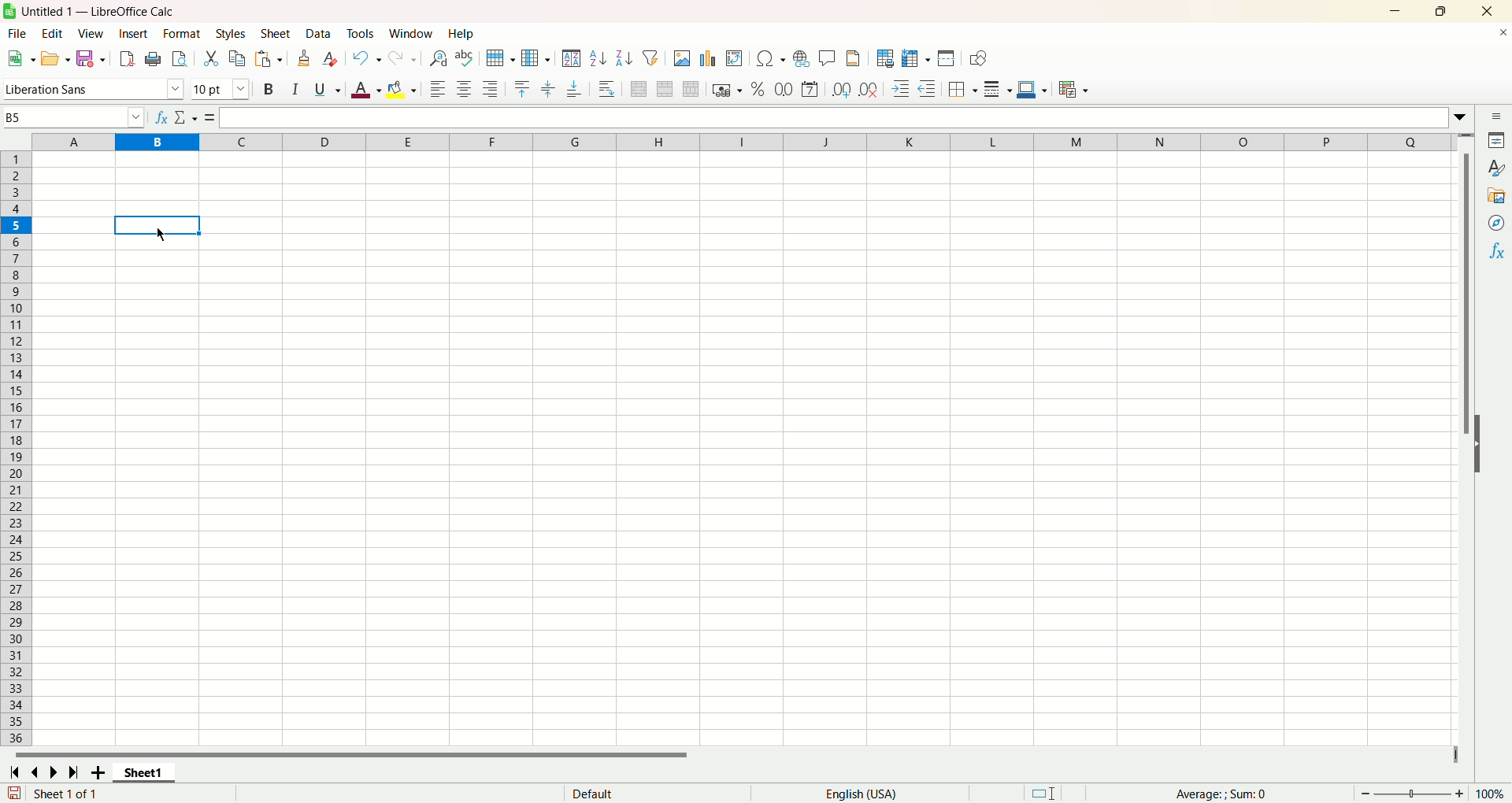 This screenshot has width=1512, height=803. What do you see at coordinates (365, 91) in the screenshot?
I see `font color` at bounding box center [365, 91].